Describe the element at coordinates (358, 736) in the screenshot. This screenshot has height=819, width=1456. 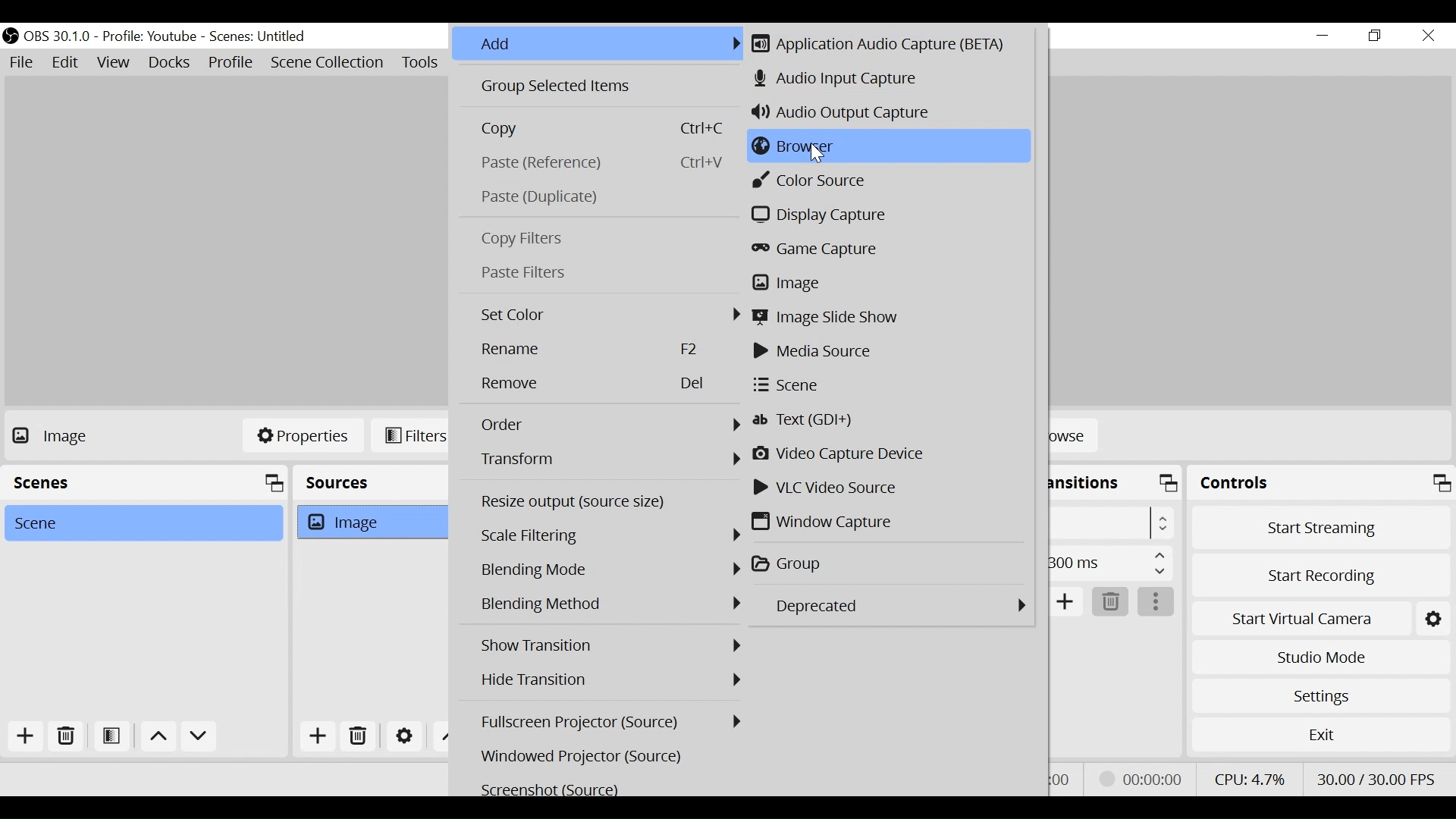
I see `Delete` at that location.